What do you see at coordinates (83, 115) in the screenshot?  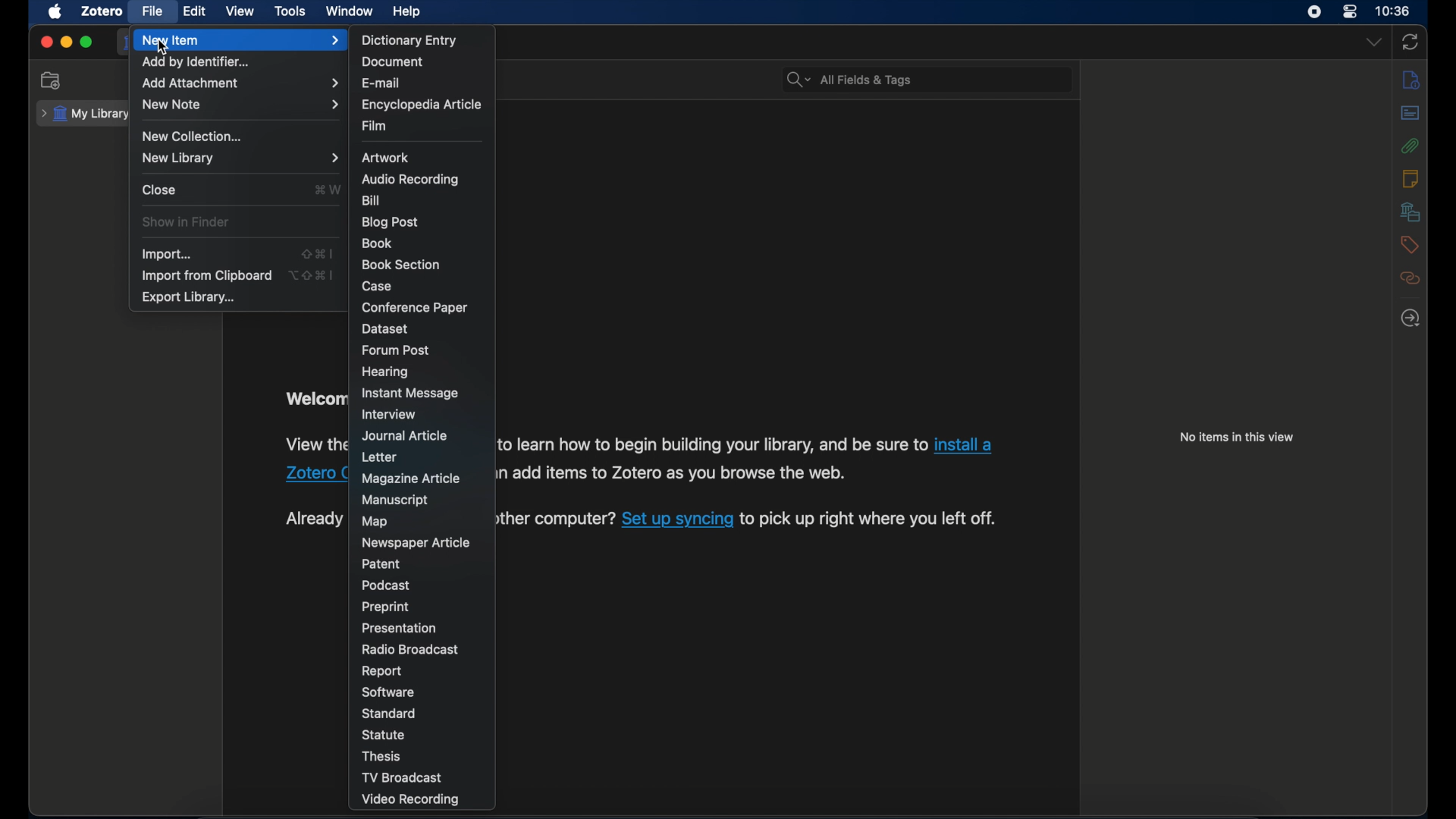 I see `my library` at bounding box center [83, 115].